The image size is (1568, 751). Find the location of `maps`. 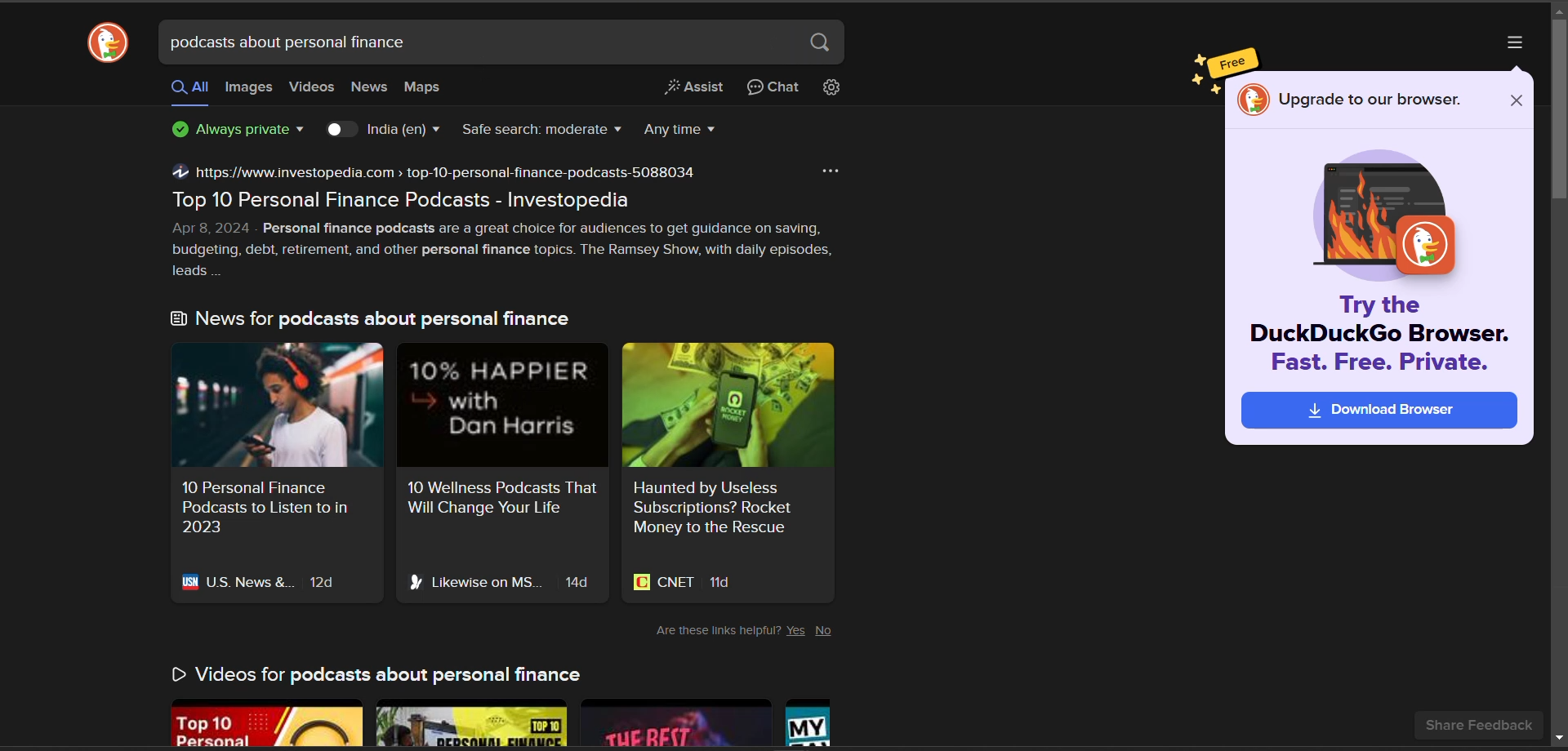

maps is located at coordinates (424, 88).